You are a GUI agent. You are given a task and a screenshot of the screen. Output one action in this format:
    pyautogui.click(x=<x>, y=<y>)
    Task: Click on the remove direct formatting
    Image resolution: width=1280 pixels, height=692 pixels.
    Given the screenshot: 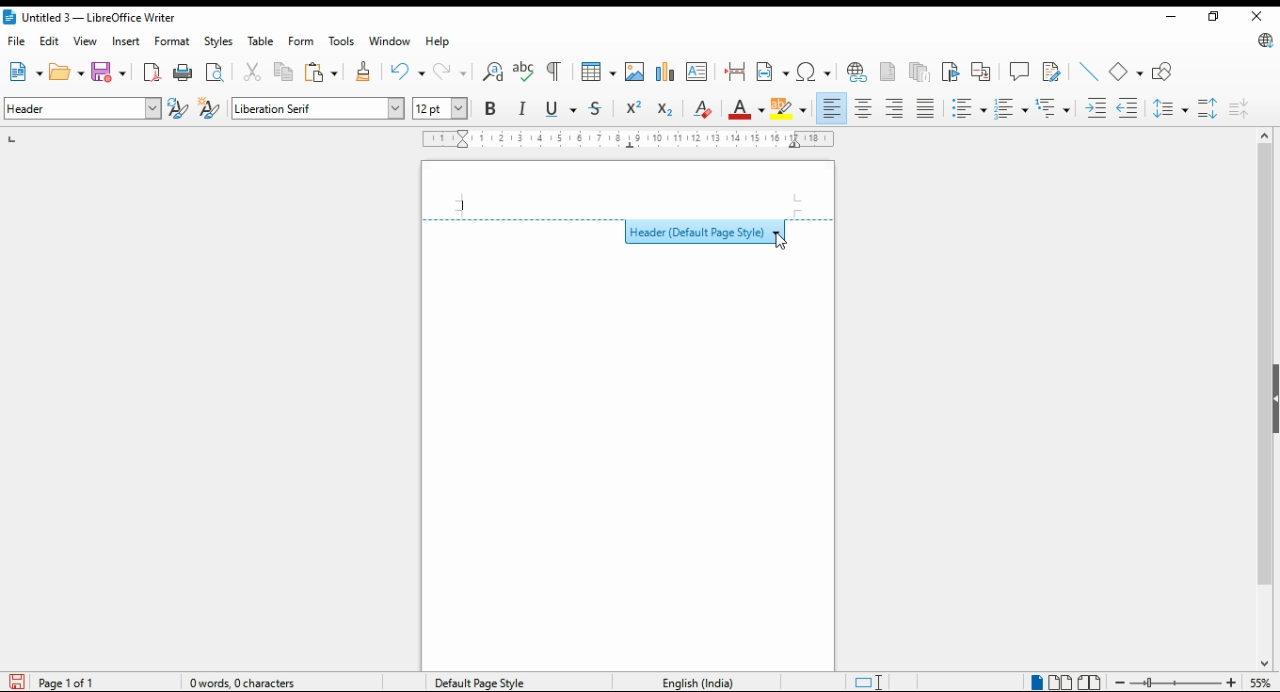 What is the action you would take?
    pyautogui.click(x=702, y=108)
    